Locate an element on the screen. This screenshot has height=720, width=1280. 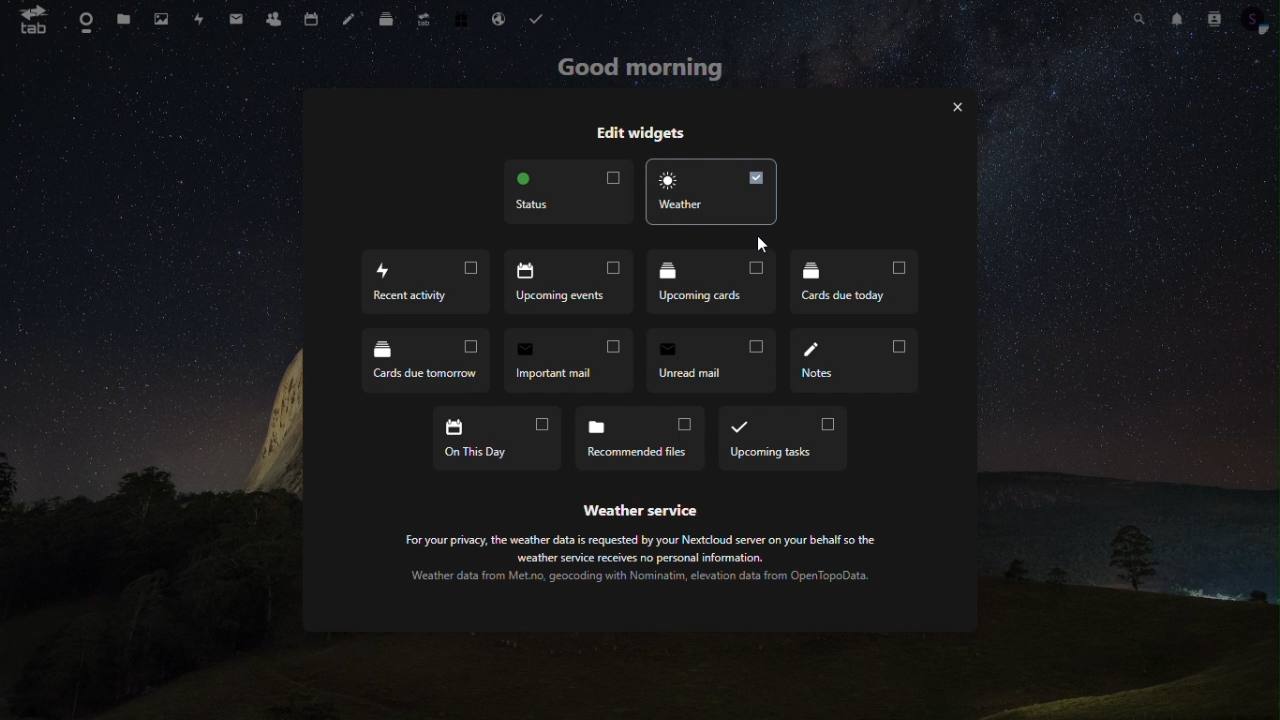
contacts is located at coordinates (273, 21).